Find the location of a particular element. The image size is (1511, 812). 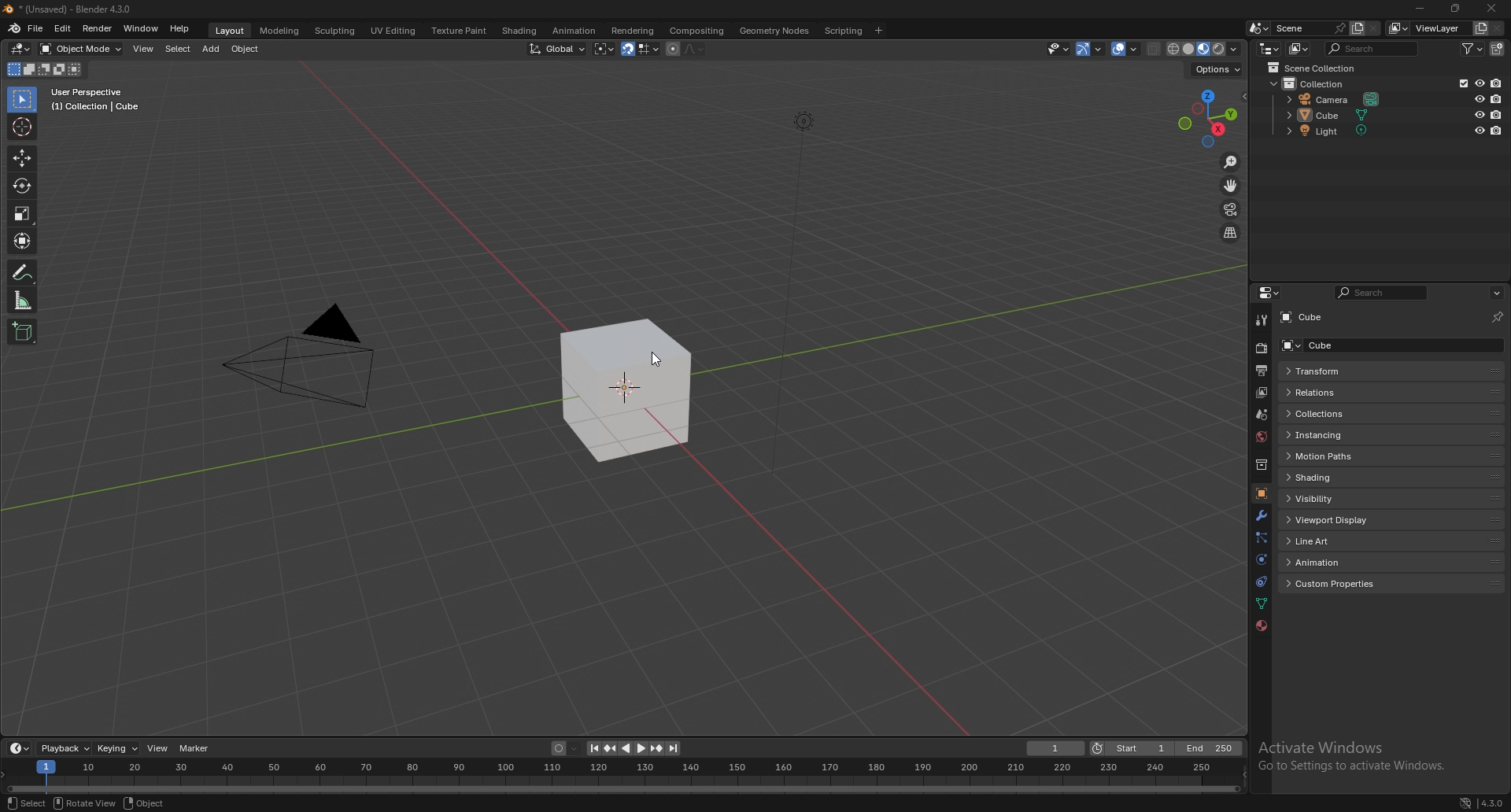

snapping is located at coordinates (640, 50).